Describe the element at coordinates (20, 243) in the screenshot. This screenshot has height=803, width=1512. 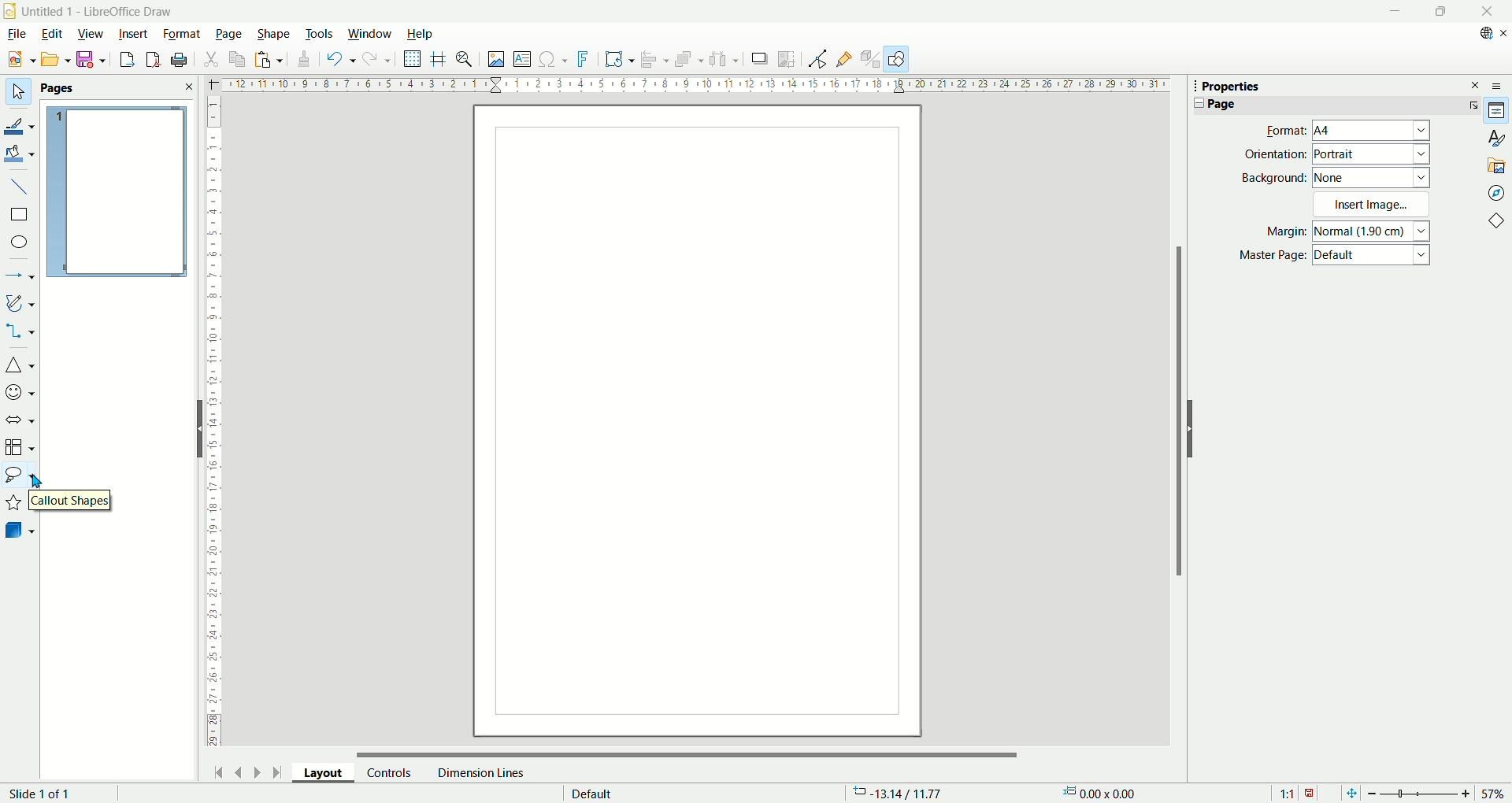
I see `ellipse` at that location.